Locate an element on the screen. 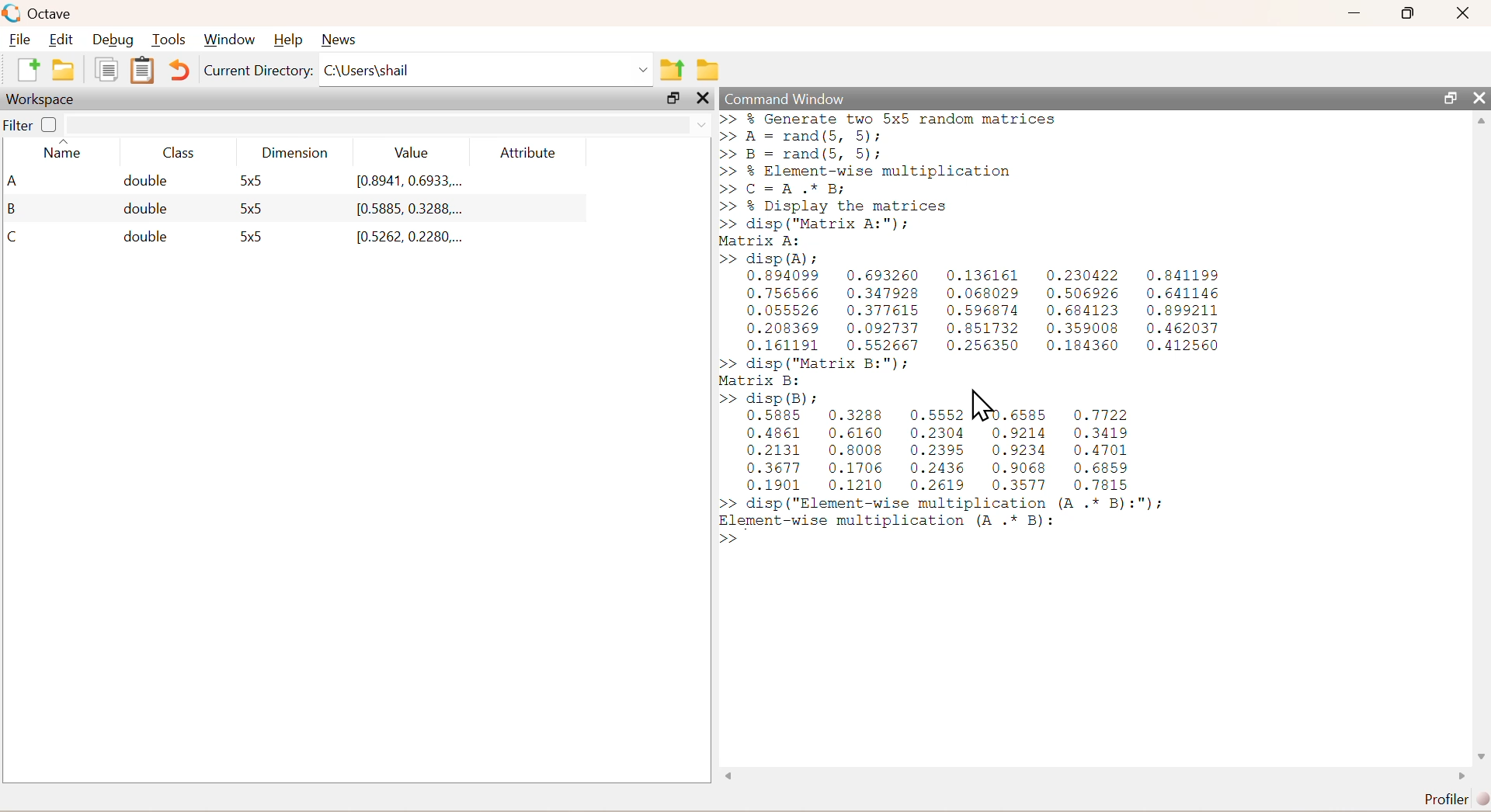 Image resolution: width=1491 pixels, height=812 pixels. Close is located at coordinates (1477, 95).